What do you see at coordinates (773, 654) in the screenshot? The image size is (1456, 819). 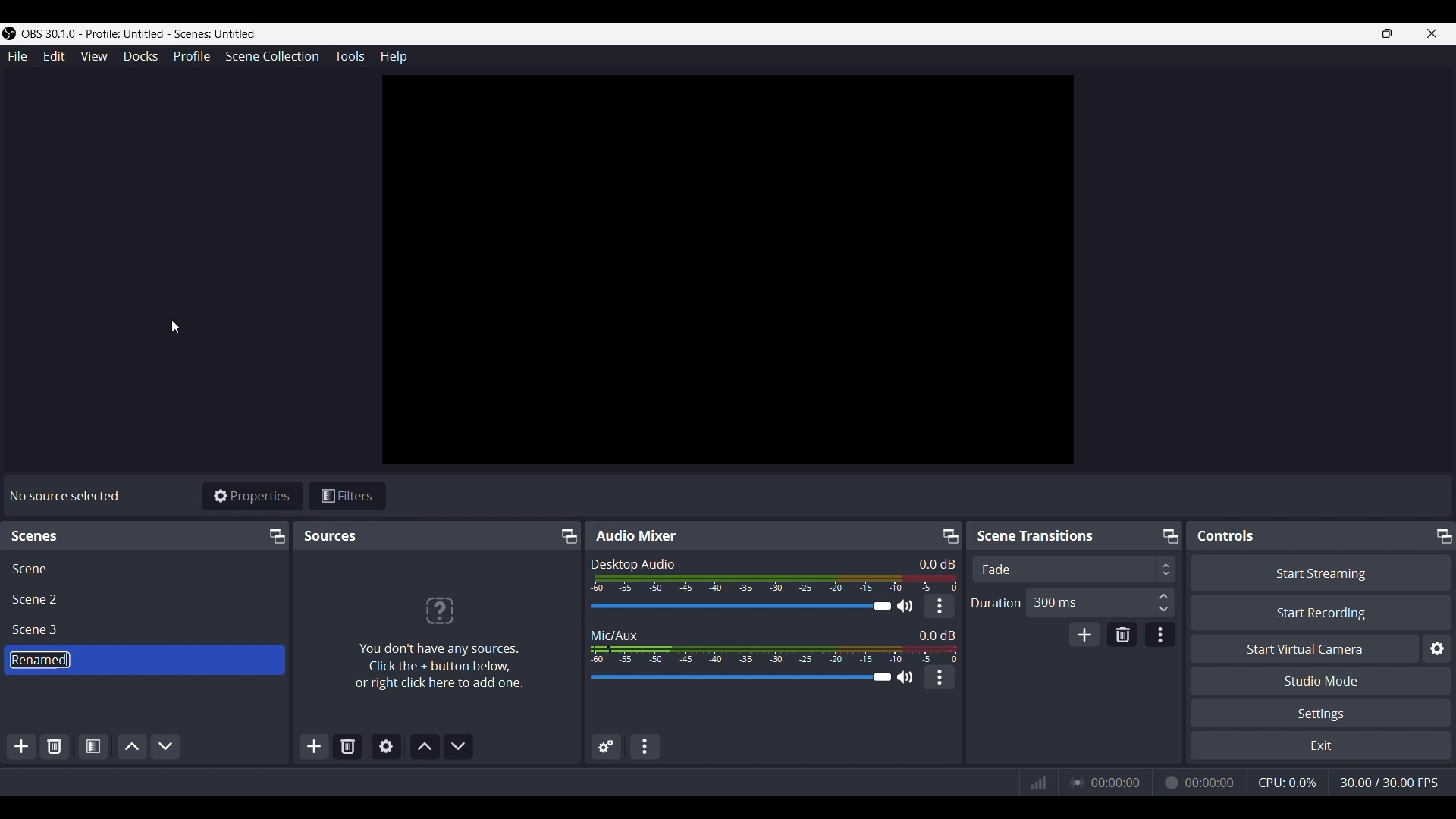 I see `Volume Meter` at bounding box center [773, 654].